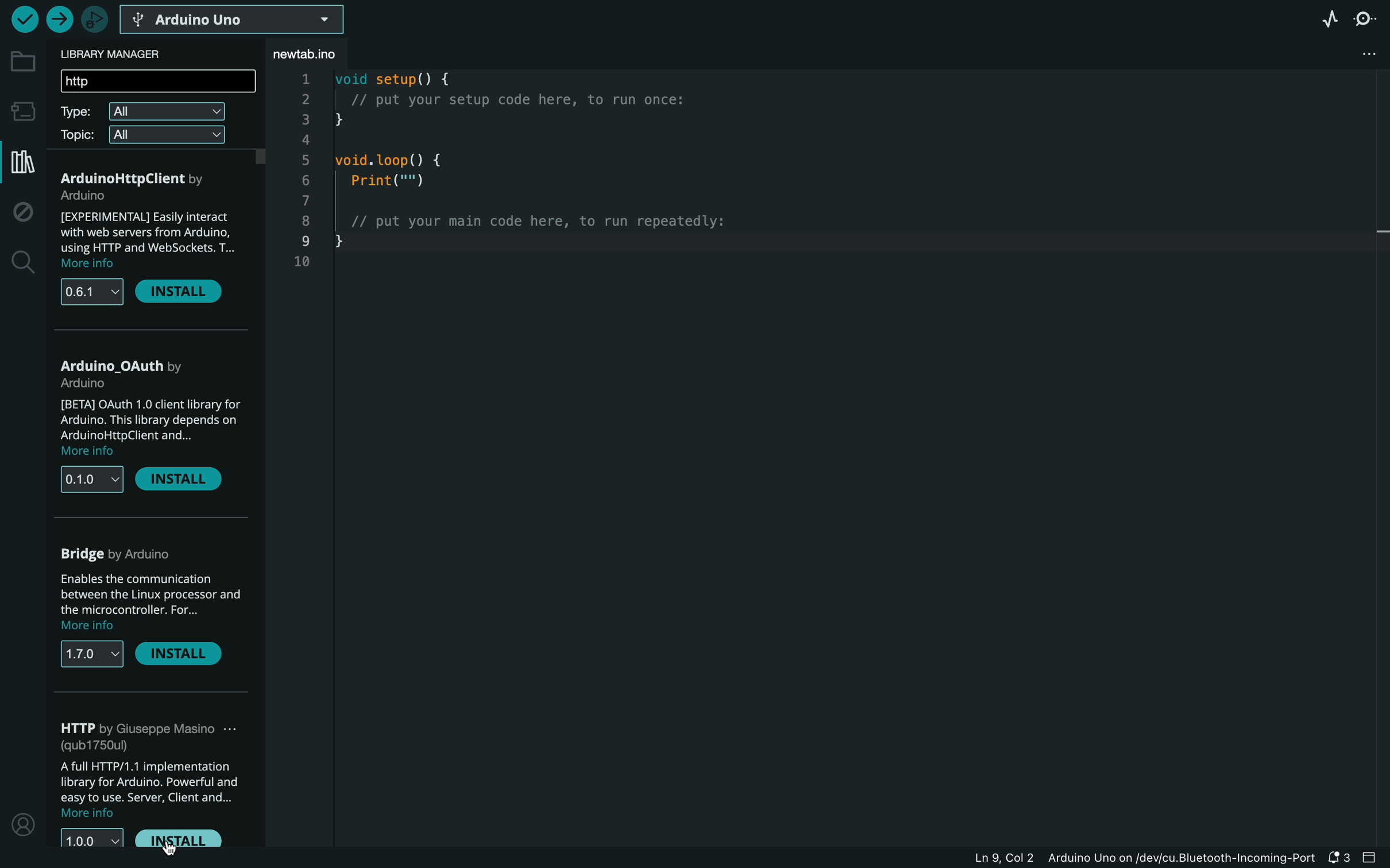 Image resolution: width=1390 pixels, height=868 pixels. Describe the element at coordinates (21, 263) in the screenshot. I see `search` at that location.